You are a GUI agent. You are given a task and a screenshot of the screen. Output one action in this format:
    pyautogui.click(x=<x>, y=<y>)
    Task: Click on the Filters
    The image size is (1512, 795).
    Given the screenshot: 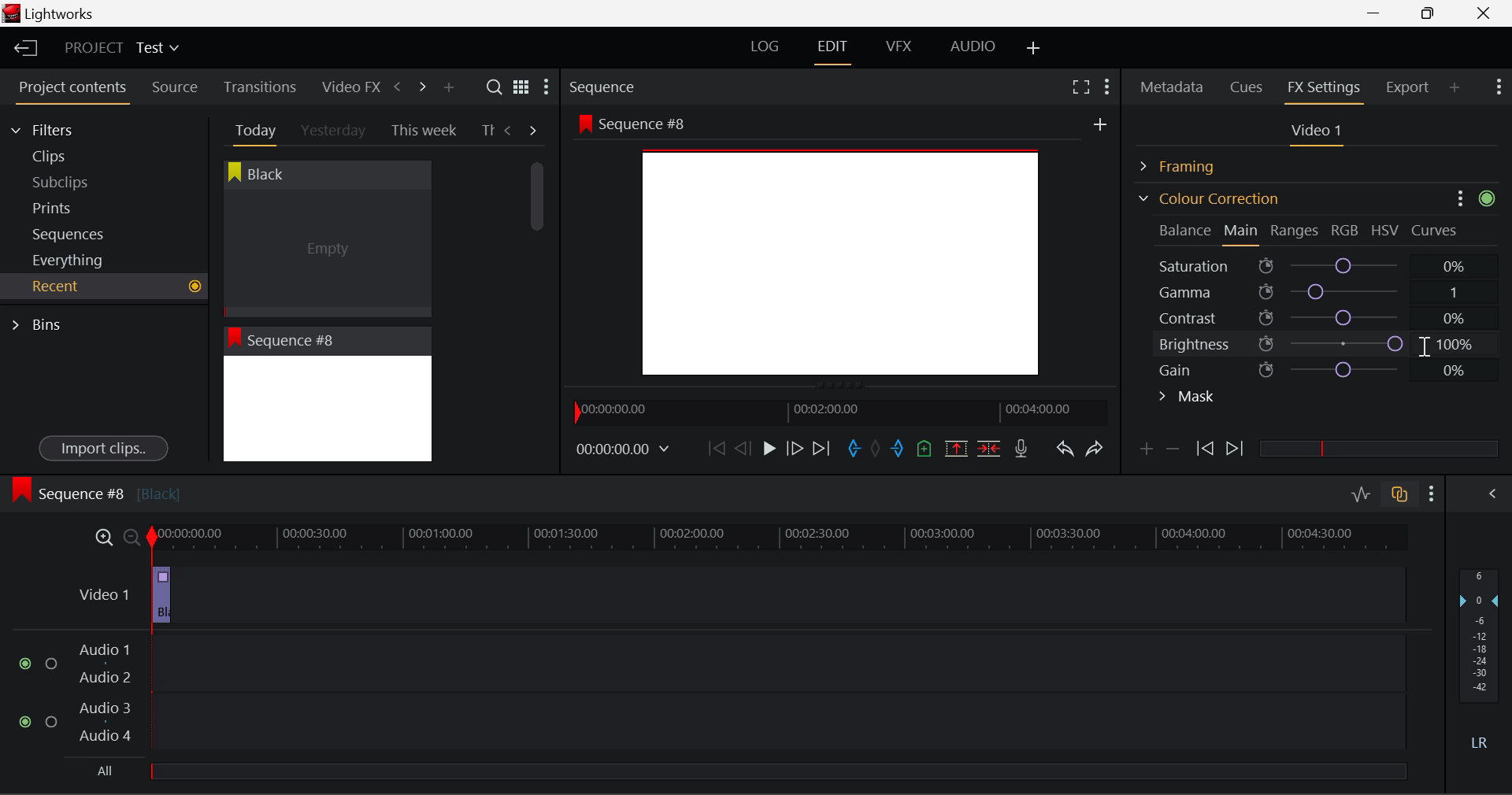 What is the action you would take?
    pyautogui.click(x=57, y=128)
    